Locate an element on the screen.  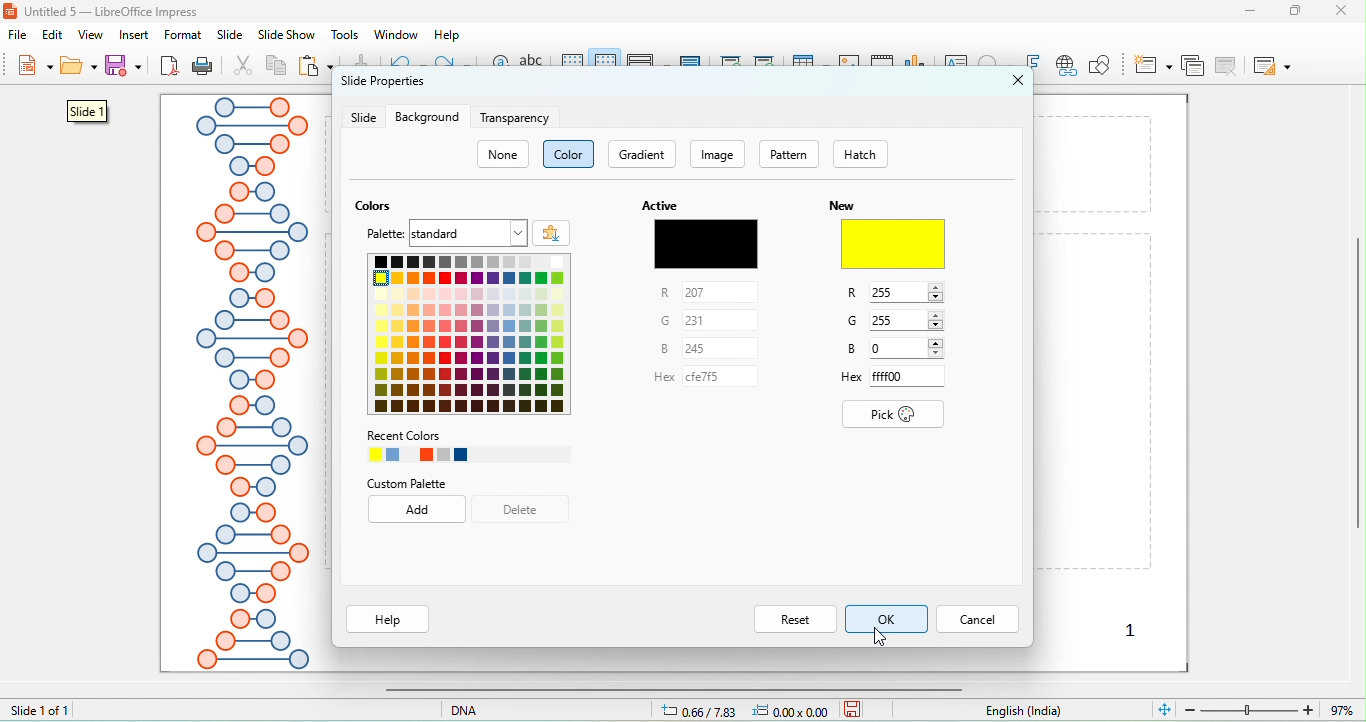
paste is located at coordinates (317, 67).